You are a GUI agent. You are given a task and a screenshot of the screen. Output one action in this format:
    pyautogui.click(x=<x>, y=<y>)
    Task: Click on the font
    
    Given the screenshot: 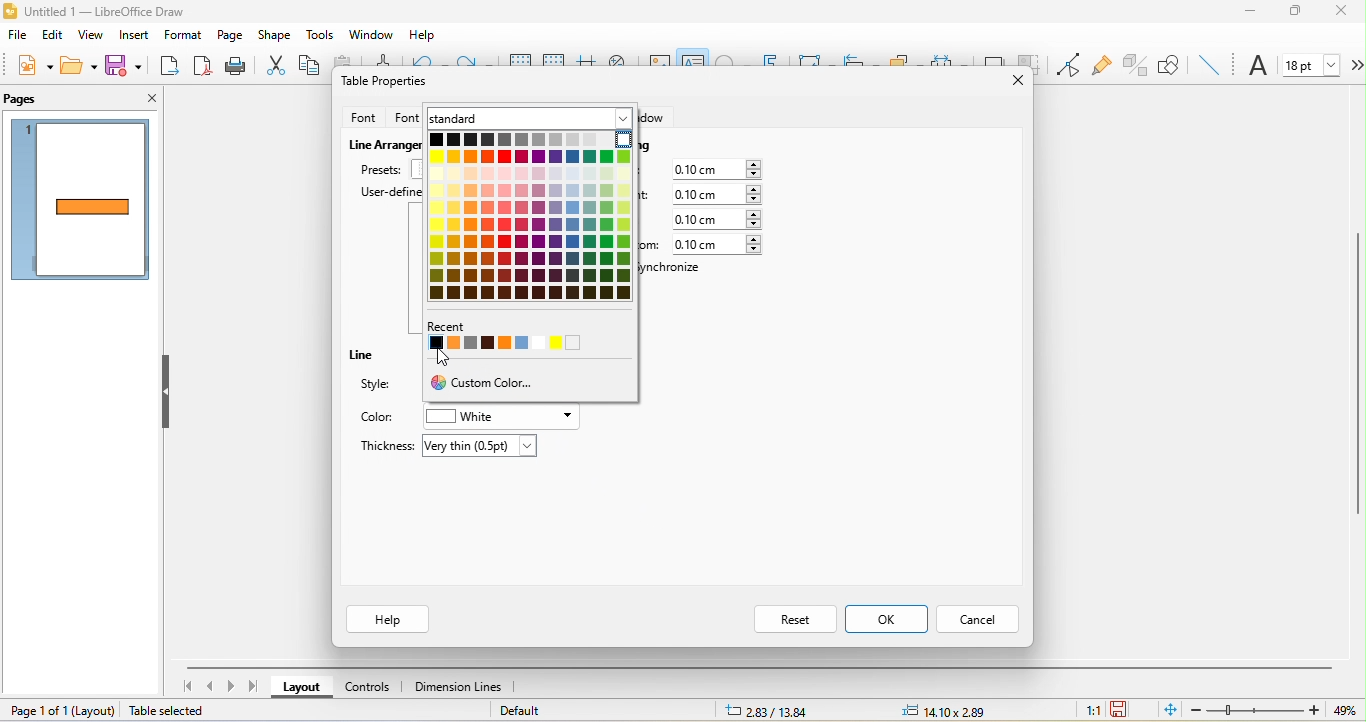 What is the action you would take?
    pyautogui.click(x=362, y=117)
    